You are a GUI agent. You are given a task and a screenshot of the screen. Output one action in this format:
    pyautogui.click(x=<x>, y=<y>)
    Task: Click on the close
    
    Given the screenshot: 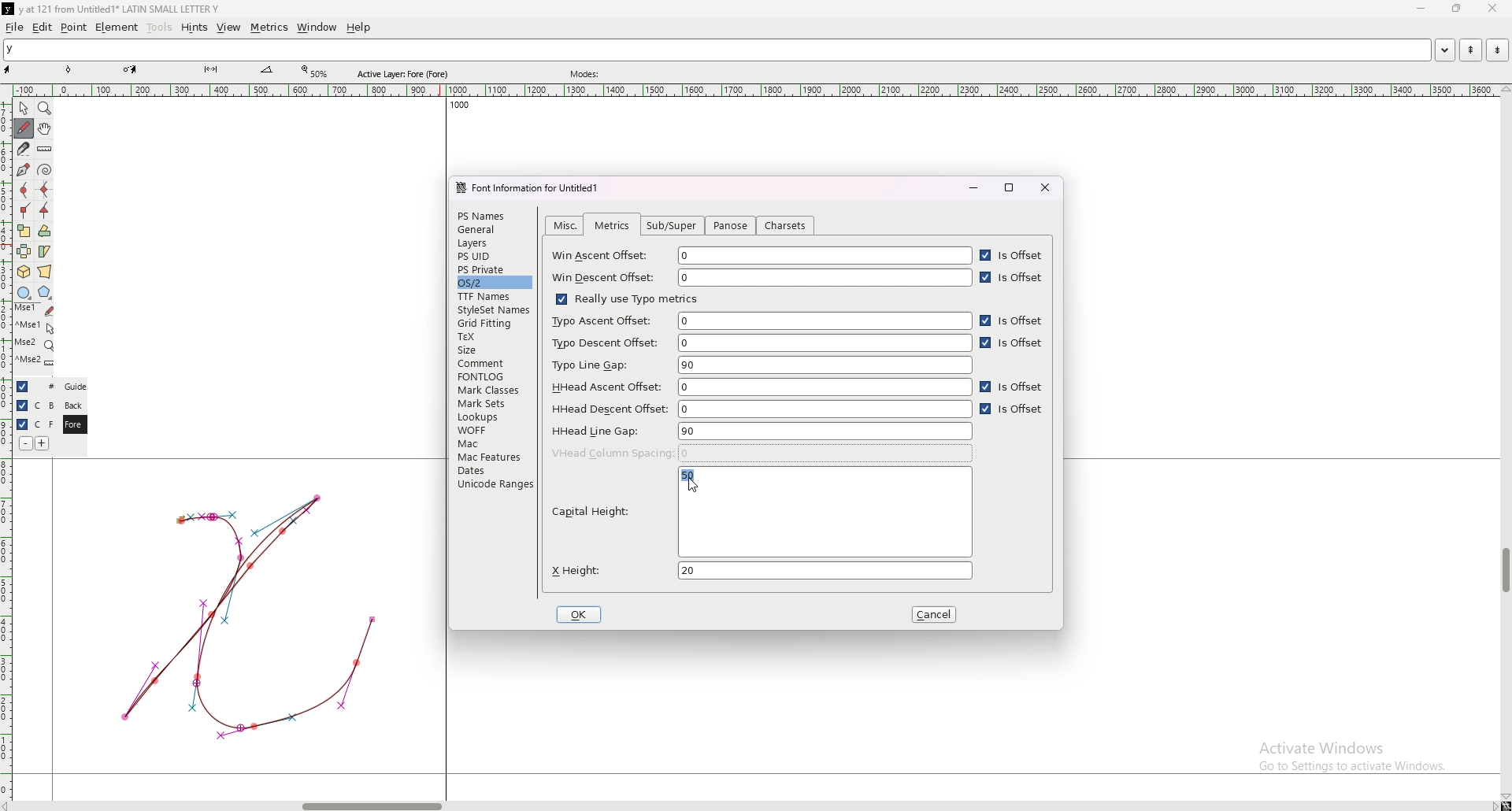 What is the action you would take?
    pyautogui.click(x=1491, y=9)
    